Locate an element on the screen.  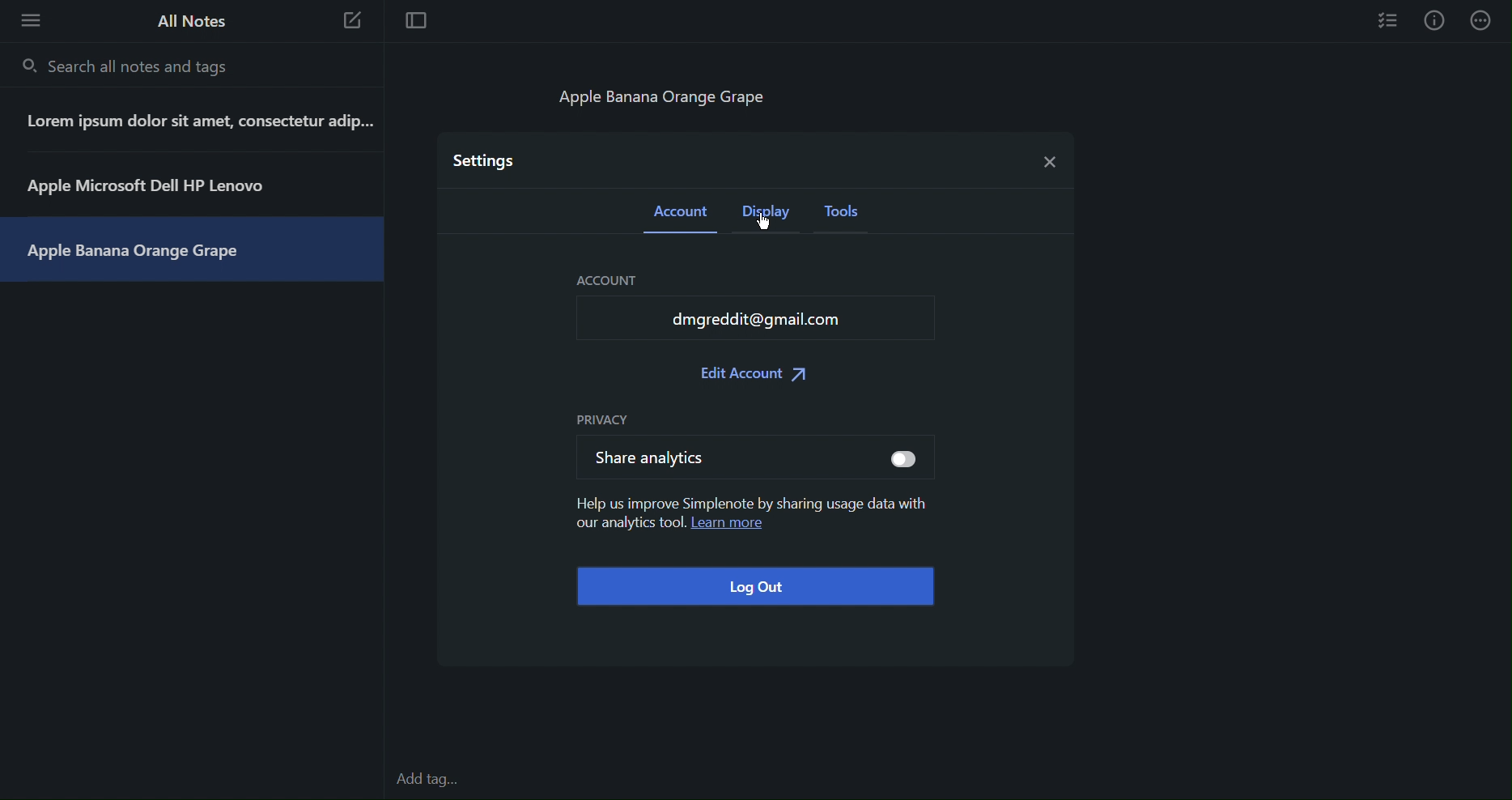
Log Out is located at coordinates (753, 587).